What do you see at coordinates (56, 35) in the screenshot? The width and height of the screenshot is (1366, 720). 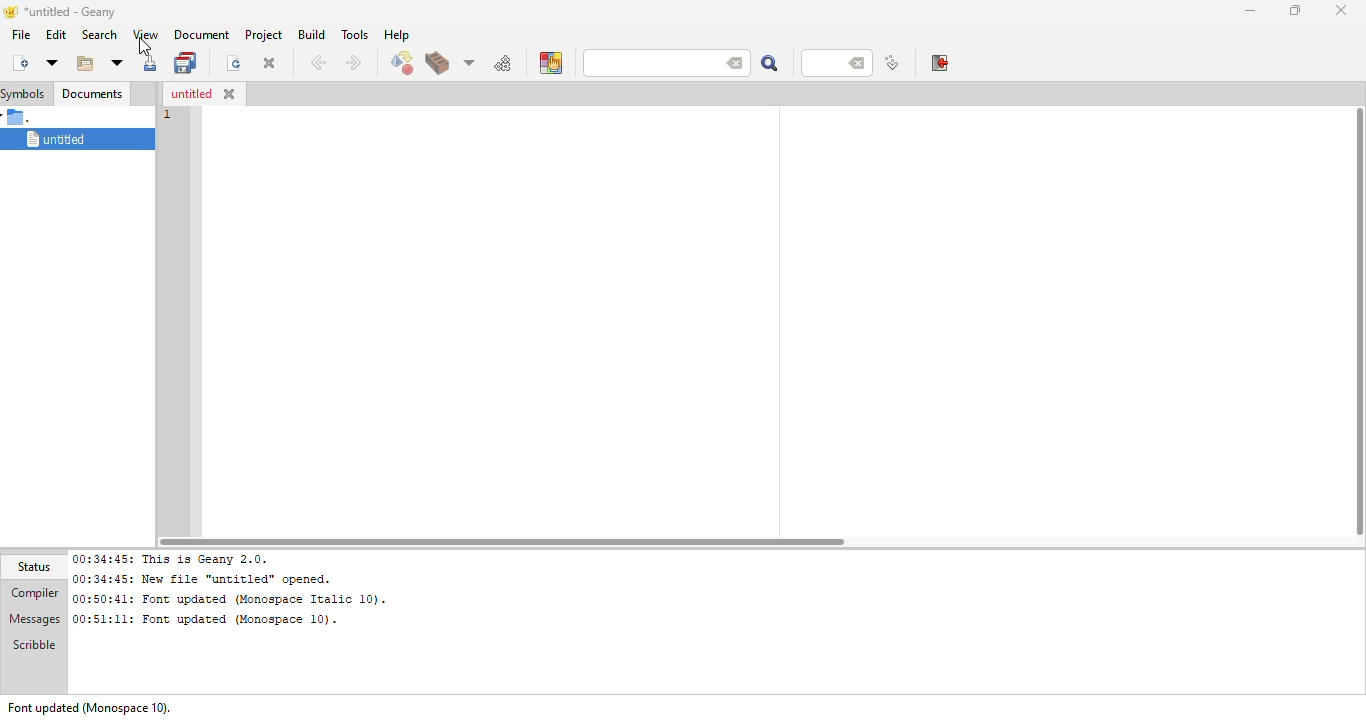 I see `edit` at bounding box center [56, 35].